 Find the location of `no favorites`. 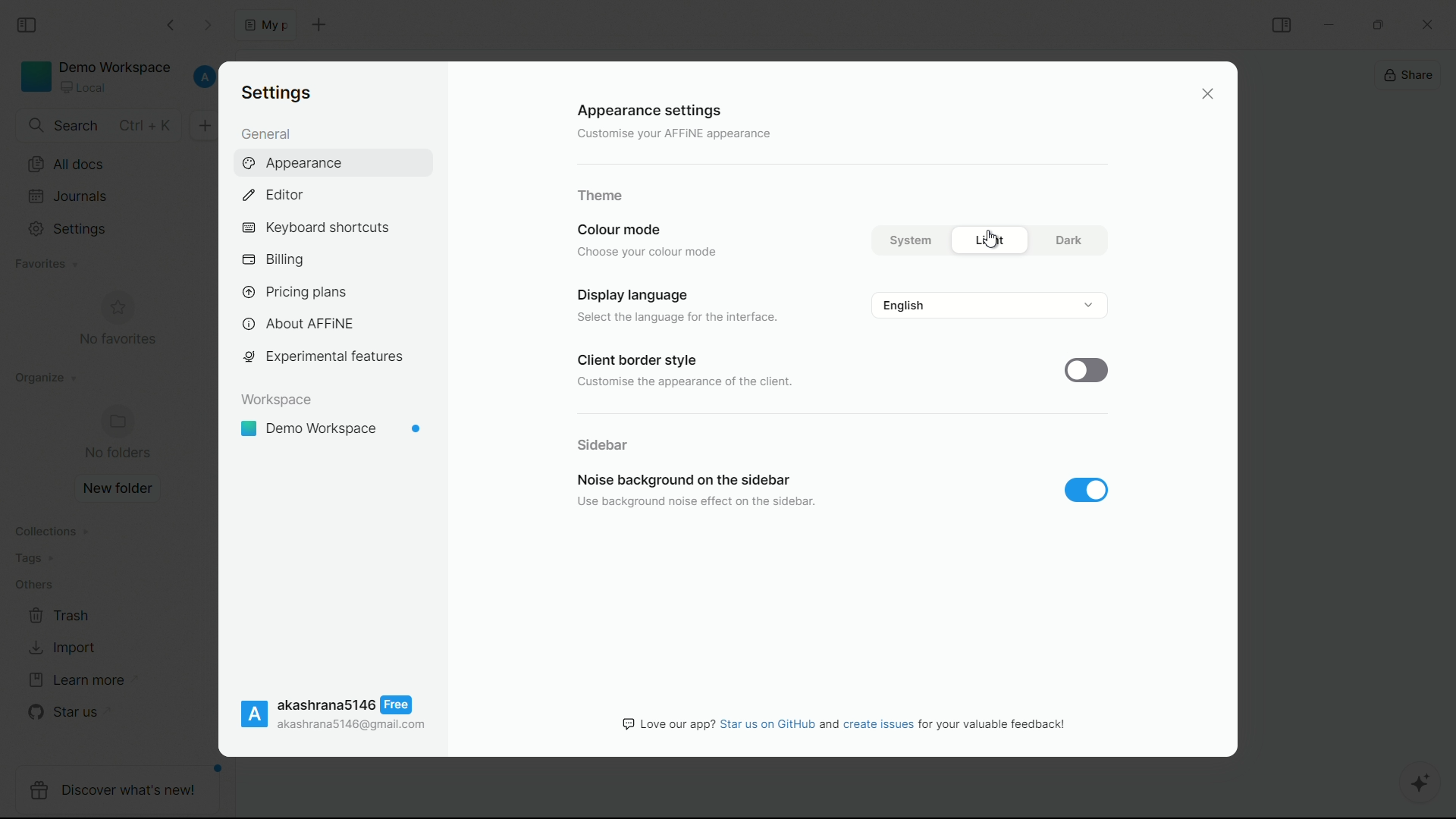

no favorites is located at coordinates (118, 322).